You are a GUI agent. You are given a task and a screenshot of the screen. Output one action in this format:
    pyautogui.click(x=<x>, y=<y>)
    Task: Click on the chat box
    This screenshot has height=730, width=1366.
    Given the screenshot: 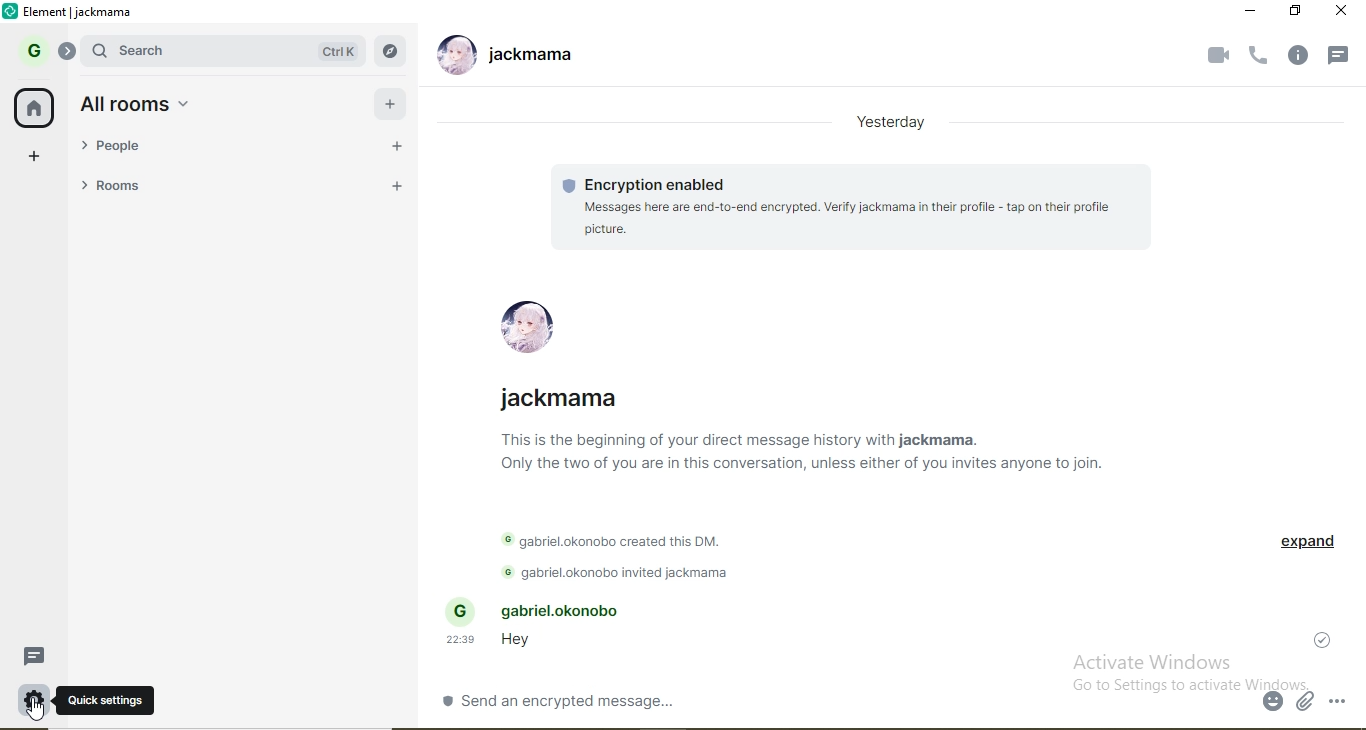 What is the action you would take?
    pyautogui.click(x=847, y=700)
    